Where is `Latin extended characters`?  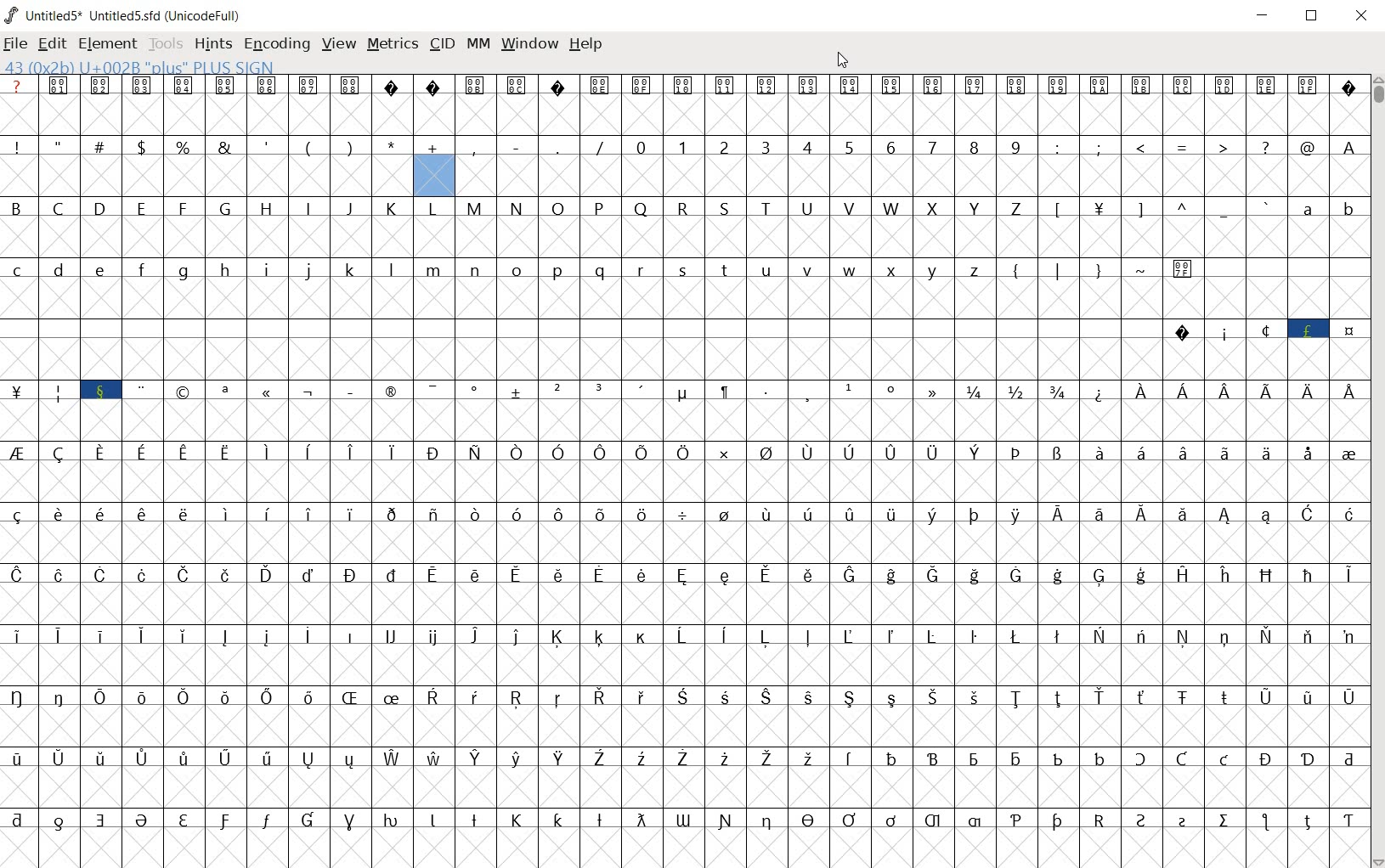
Latin extended characters is located at coordinates (1016, 717).